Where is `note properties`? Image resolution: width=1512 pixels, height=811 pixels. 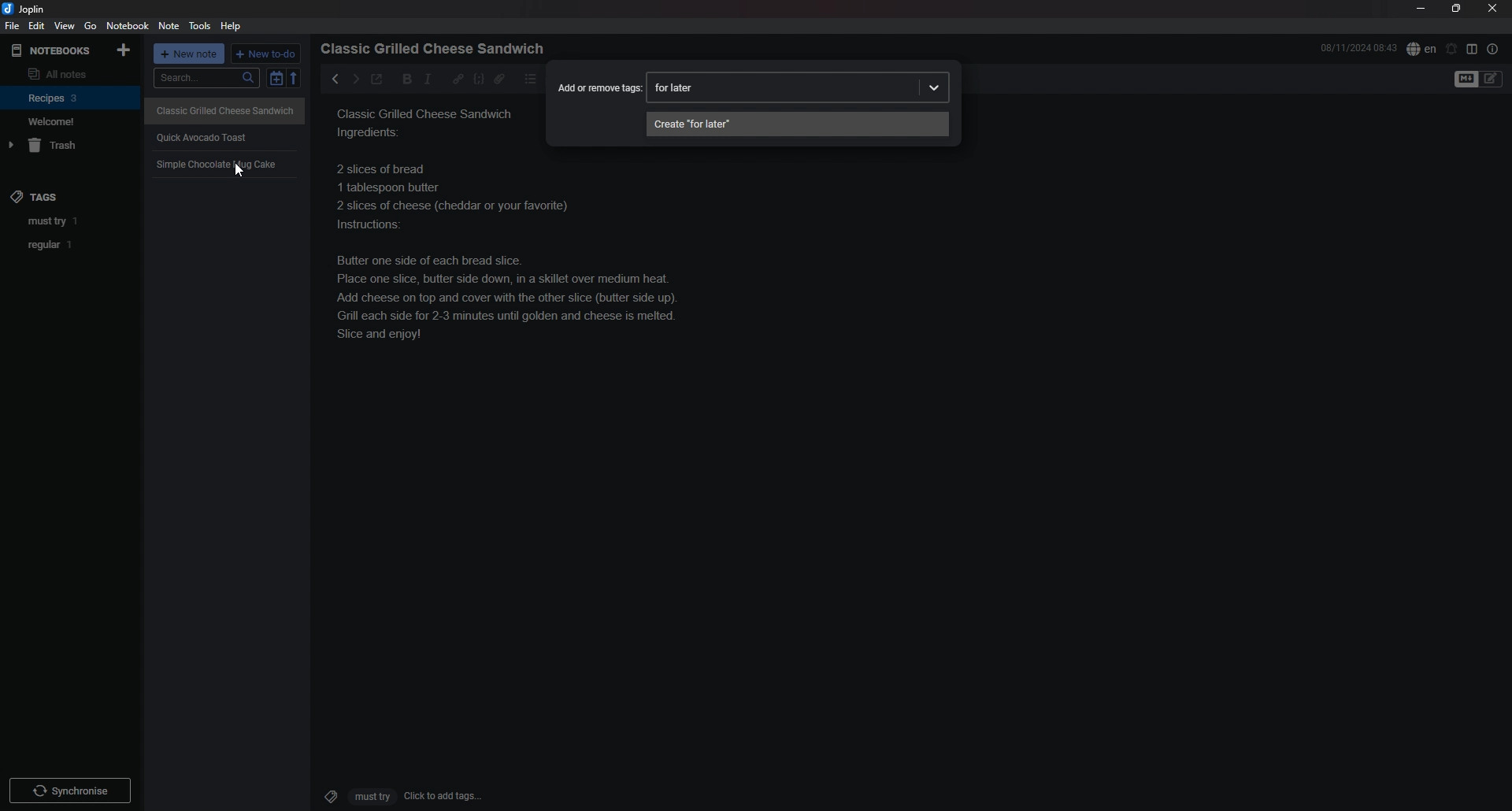
note properties is located at coordinates (1493, 49).